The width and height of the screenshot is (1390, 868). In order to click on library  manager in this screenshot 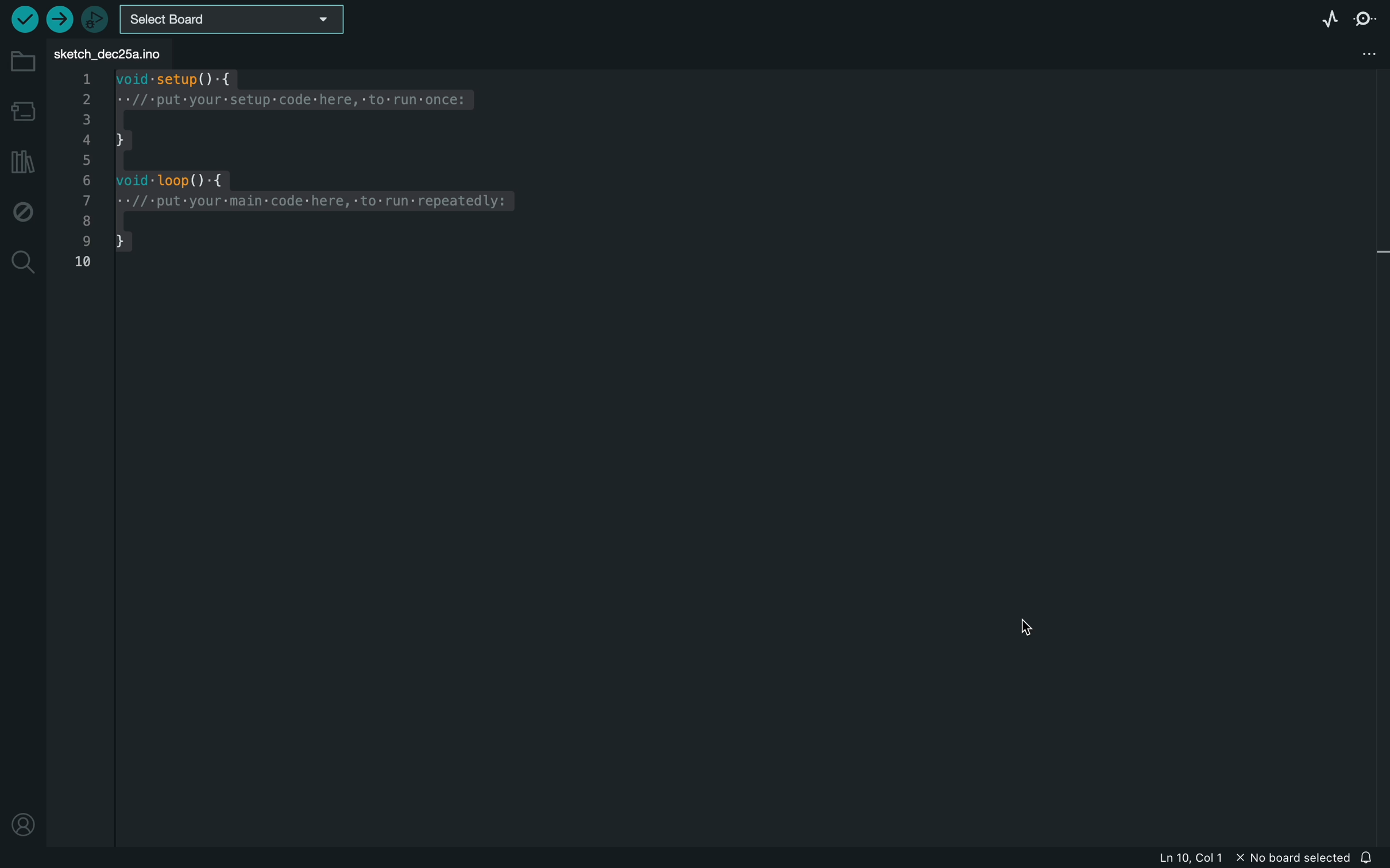, I will do `click(23, 163)`.